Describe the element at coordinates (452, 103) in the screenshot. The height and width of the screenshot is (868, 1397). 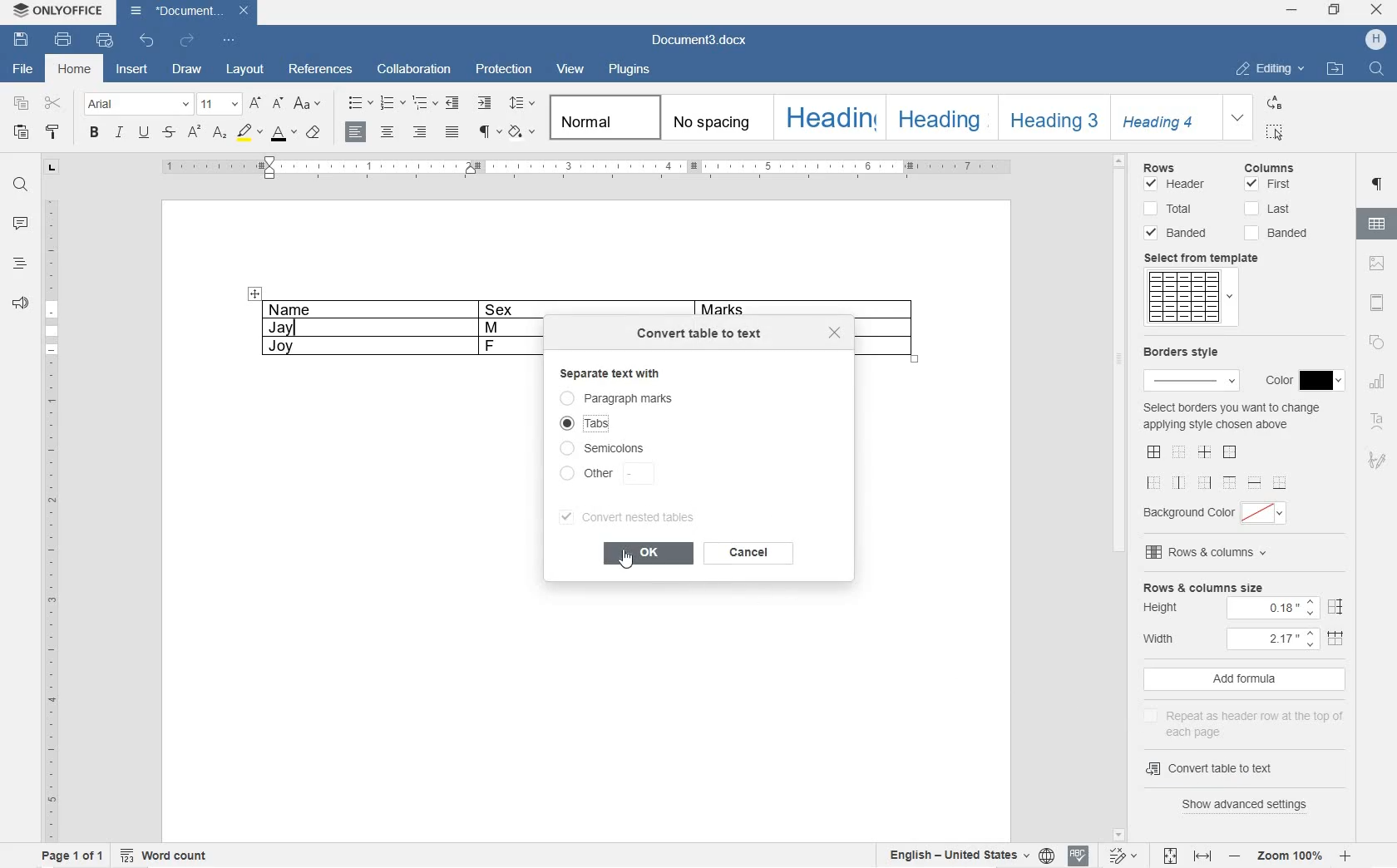
I see `DECREASE INDENT` at that location.